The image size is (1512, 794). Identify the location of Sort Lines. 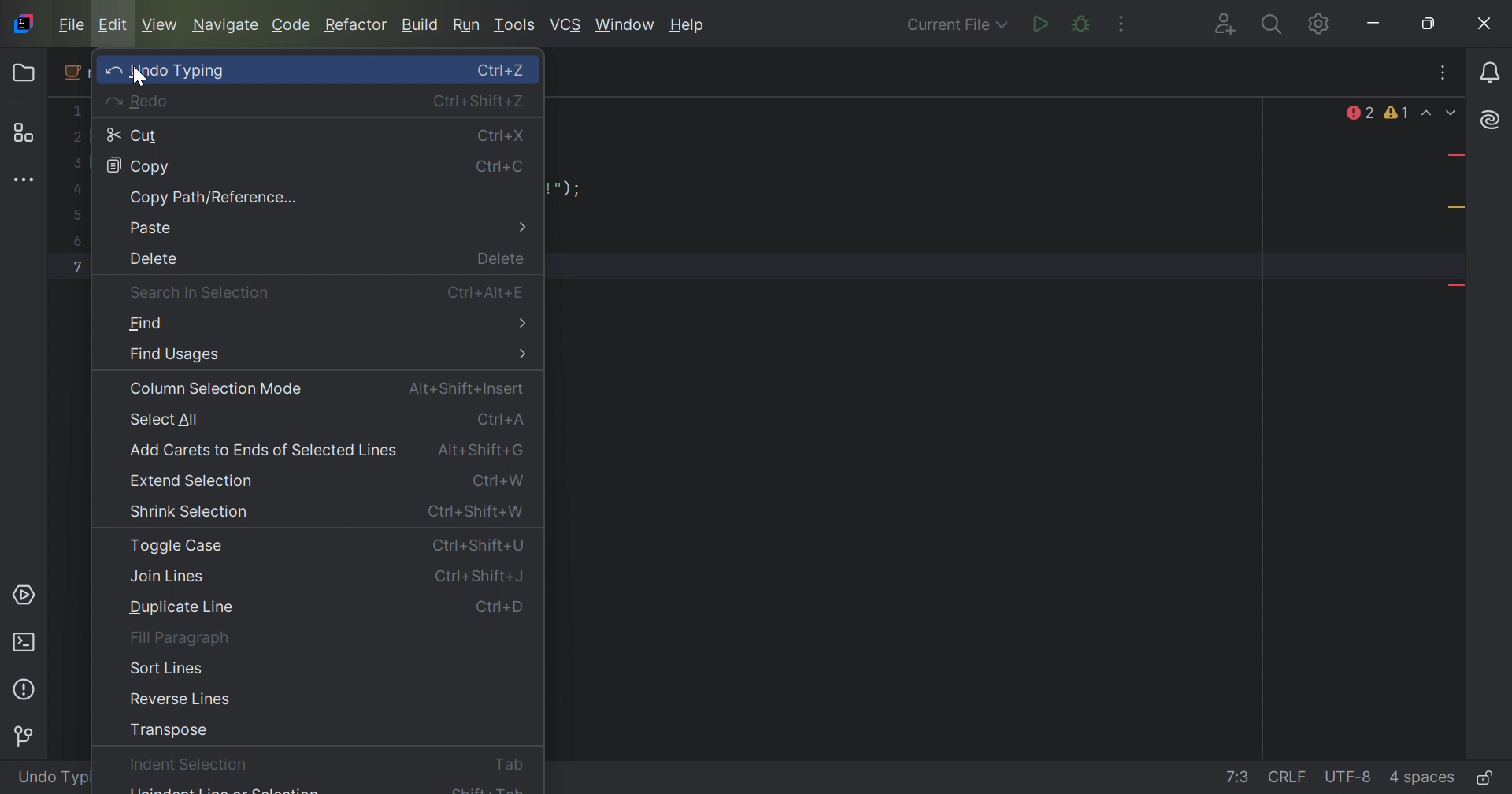
(165, 669).